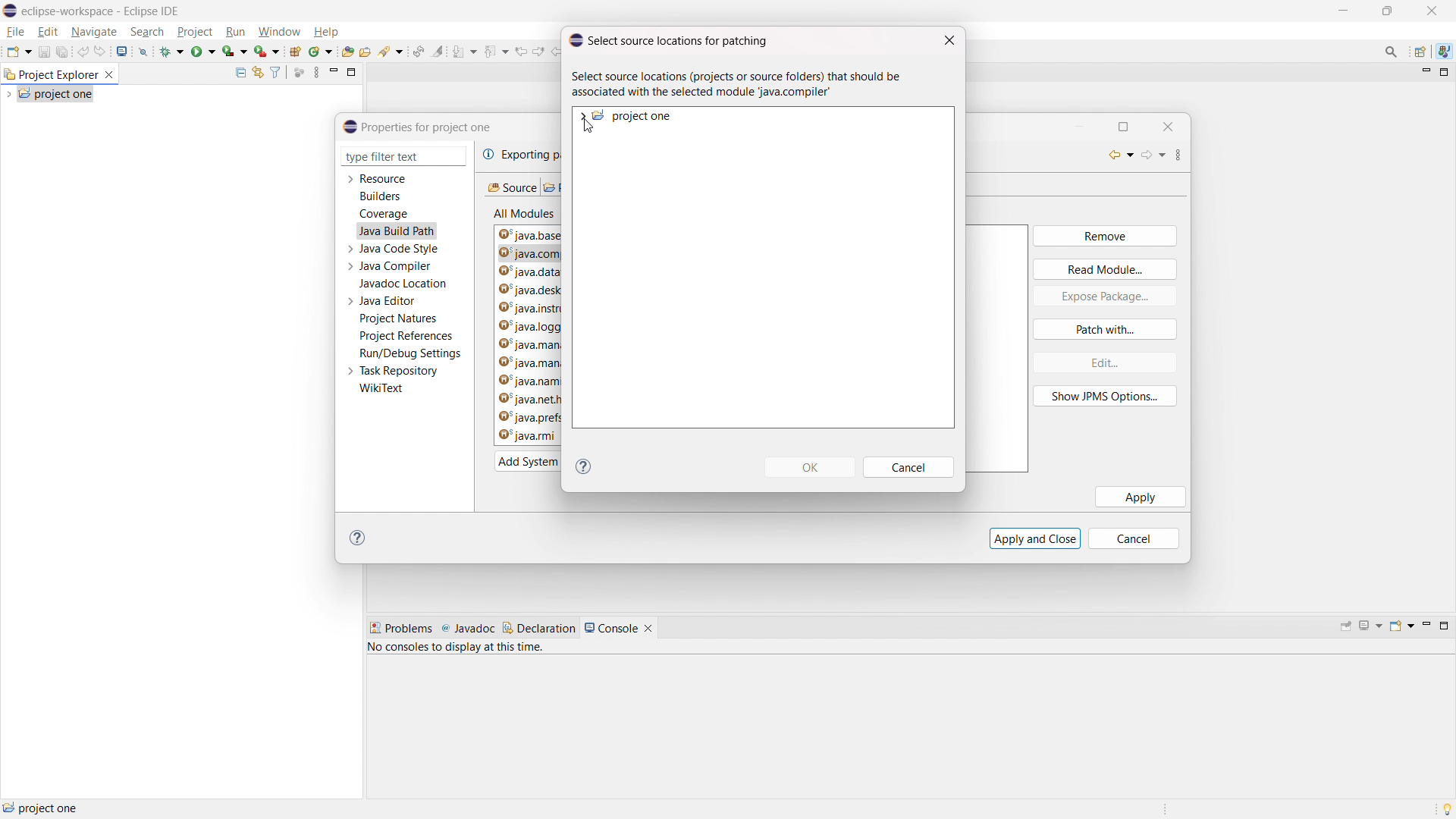 This screenshot has width=1456, height=819. Describe the element at coordinates (366, 51) in the screenshot. I see `open task` at that location.